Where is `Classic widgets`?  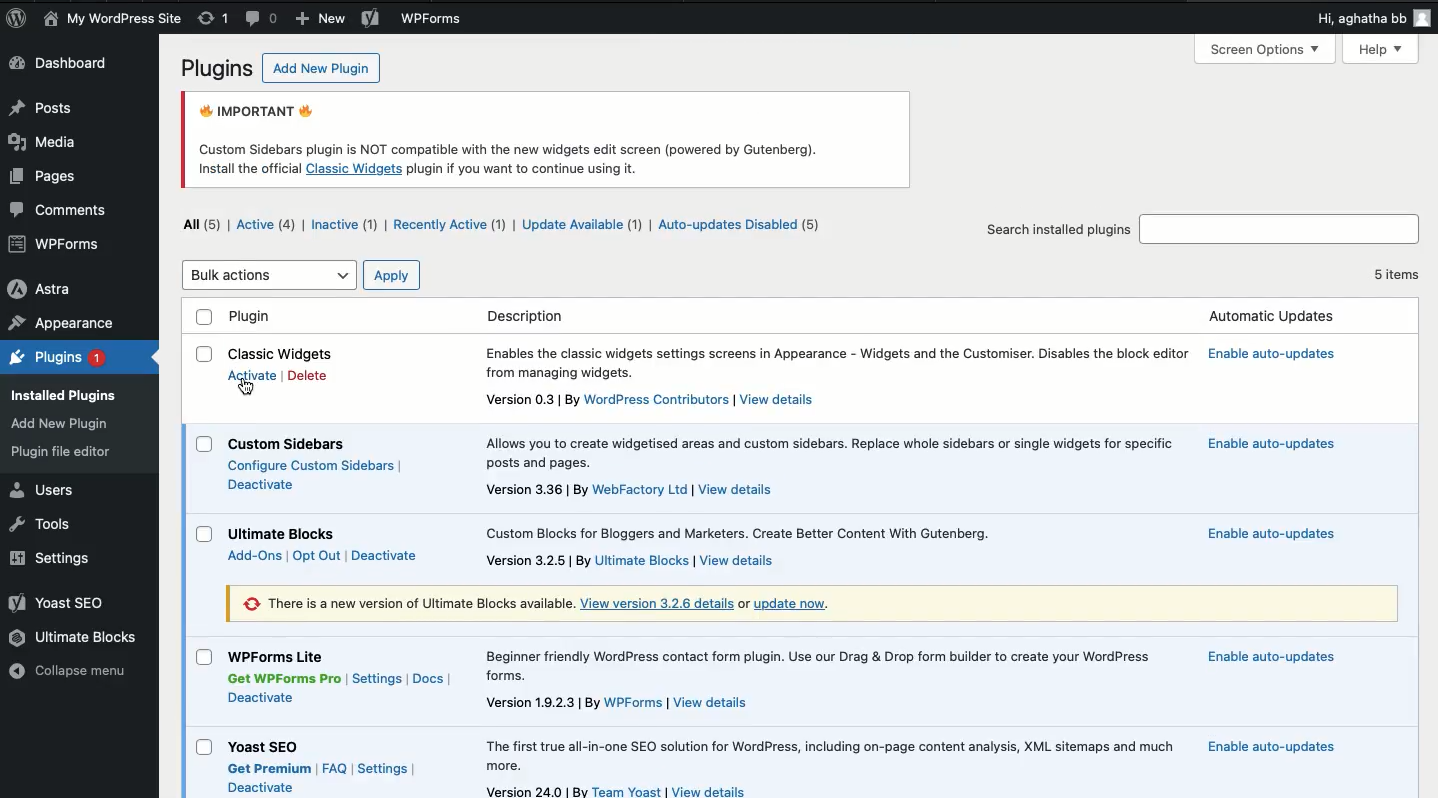
Classic widgets is located at coordinates (284, 353).